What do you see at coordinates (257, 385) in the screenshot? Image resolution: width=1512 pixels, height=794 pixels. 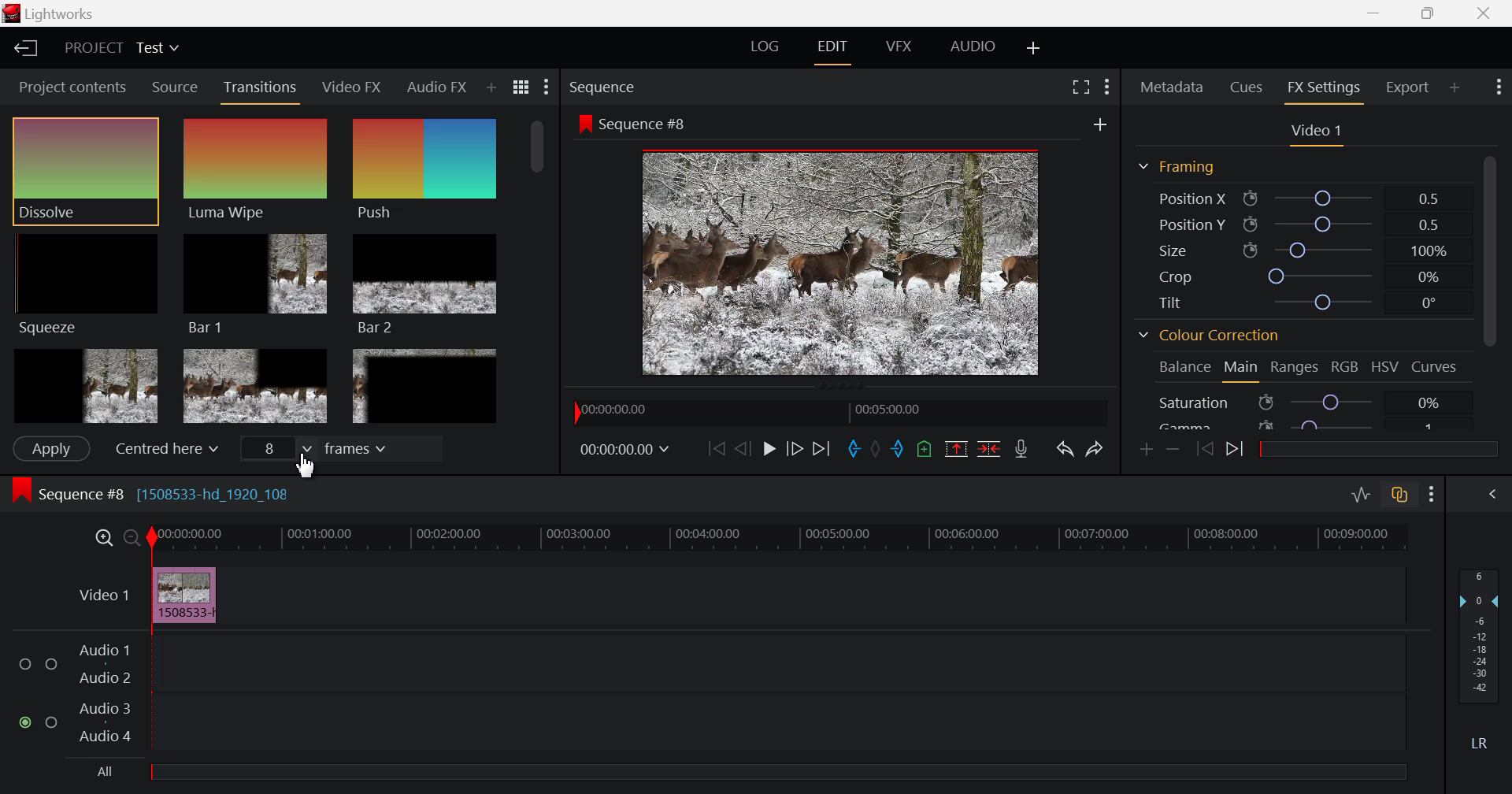 I see `Box 2` at bounding box center [257, 385].